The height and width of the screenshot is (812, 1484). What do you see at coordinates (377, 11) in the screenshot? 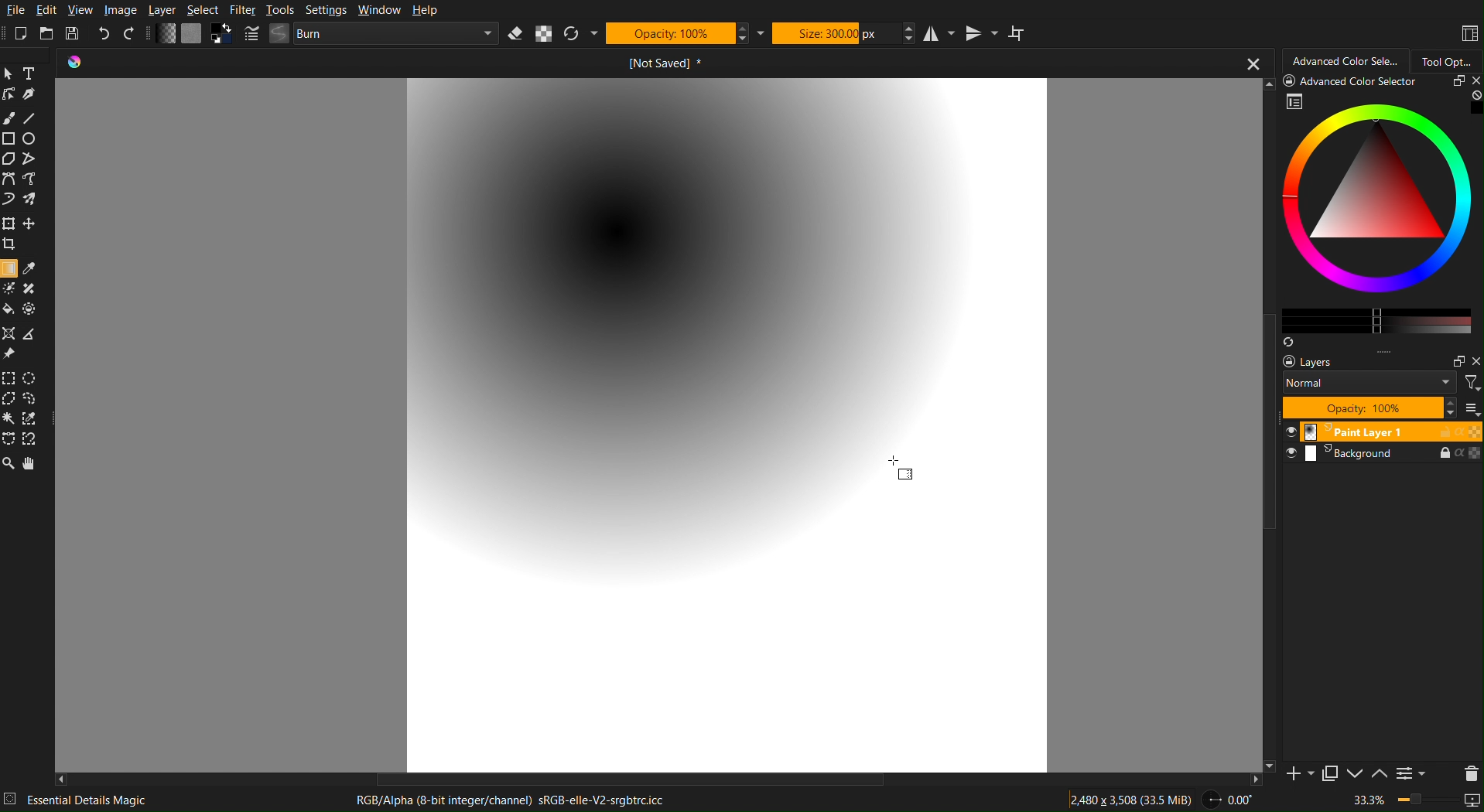
I see `Window` at bounding box center [377, 11].